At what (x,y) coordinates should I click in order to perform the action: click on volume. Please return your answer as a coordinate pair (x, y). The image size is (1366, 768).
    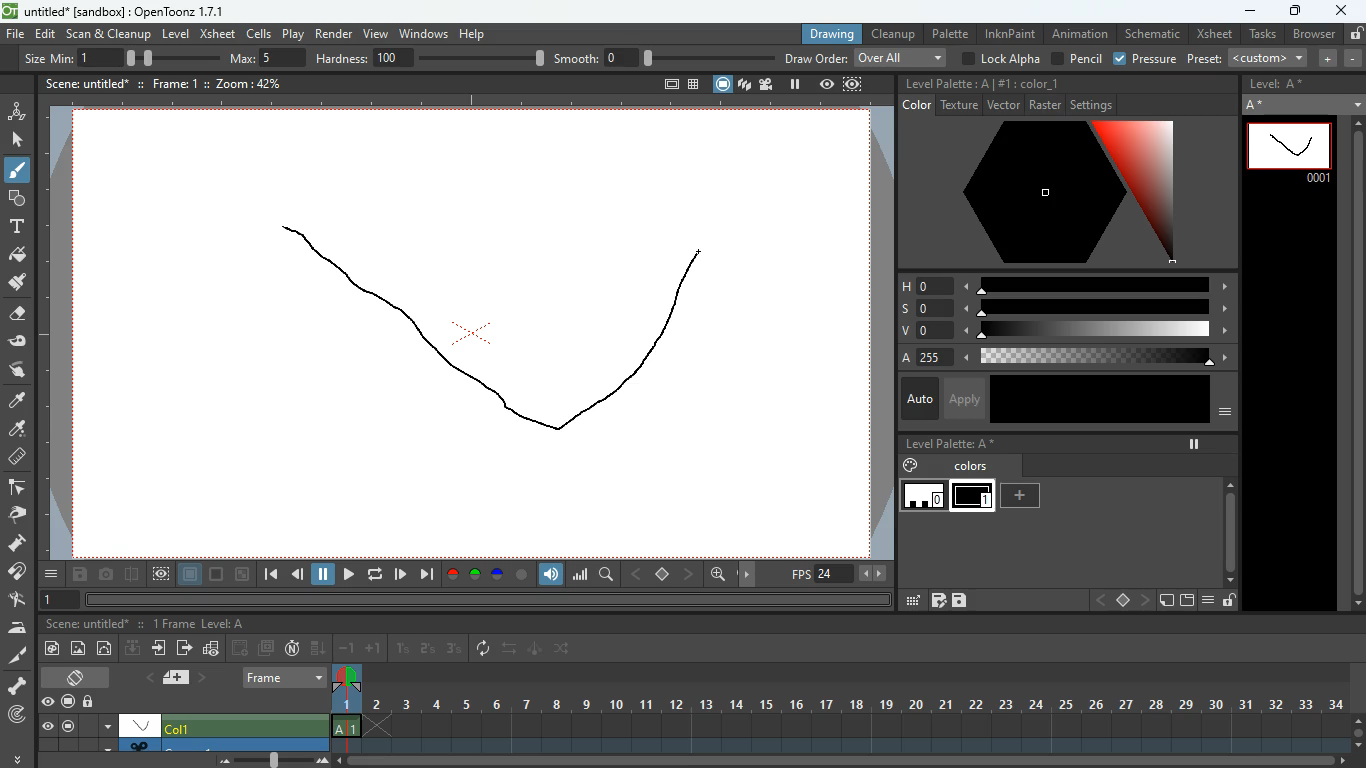
    Looking at the image, I should click on (552, 575).